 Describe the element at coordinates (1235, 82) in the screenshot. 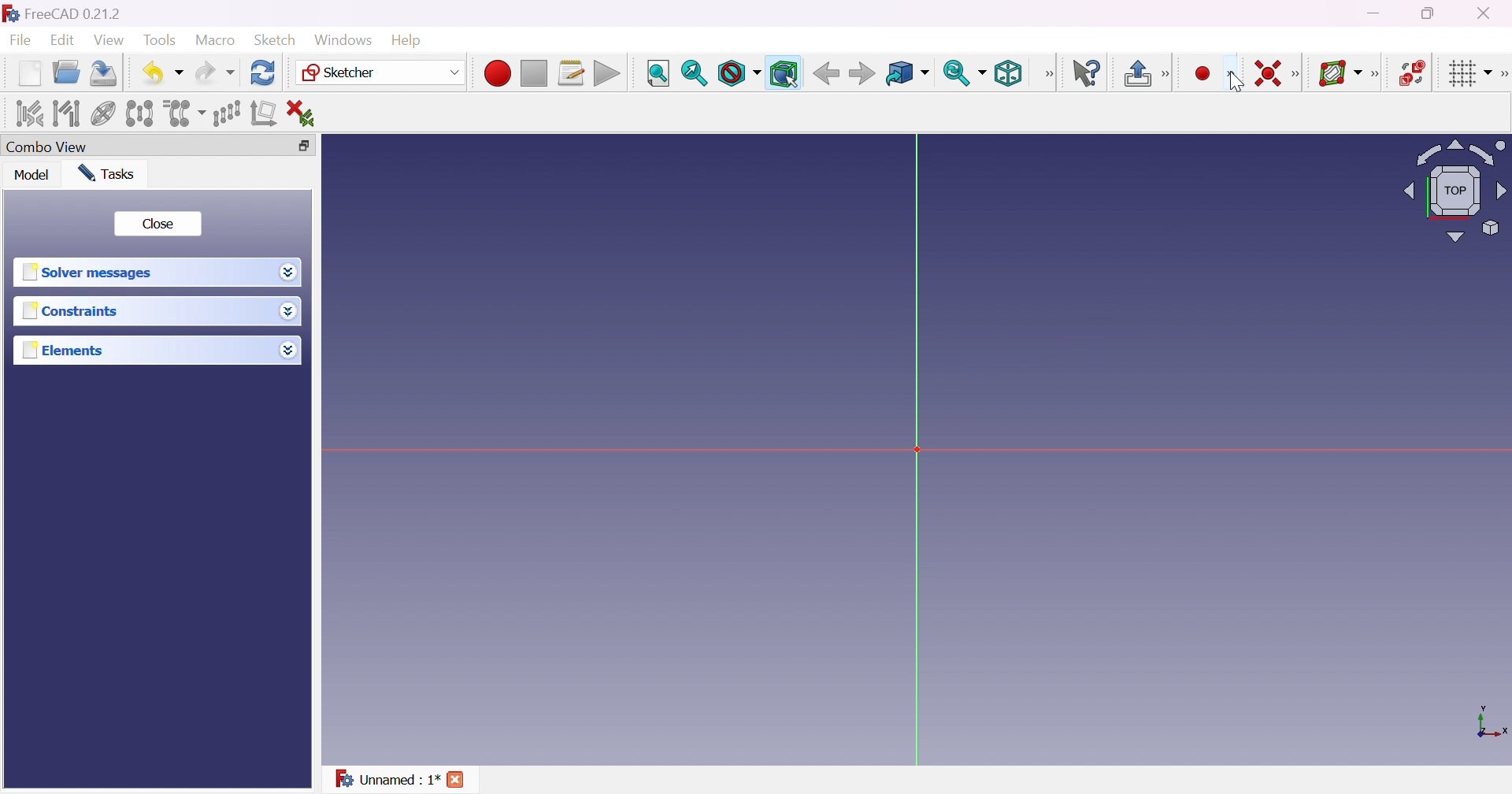

I see `cursor` at that location.